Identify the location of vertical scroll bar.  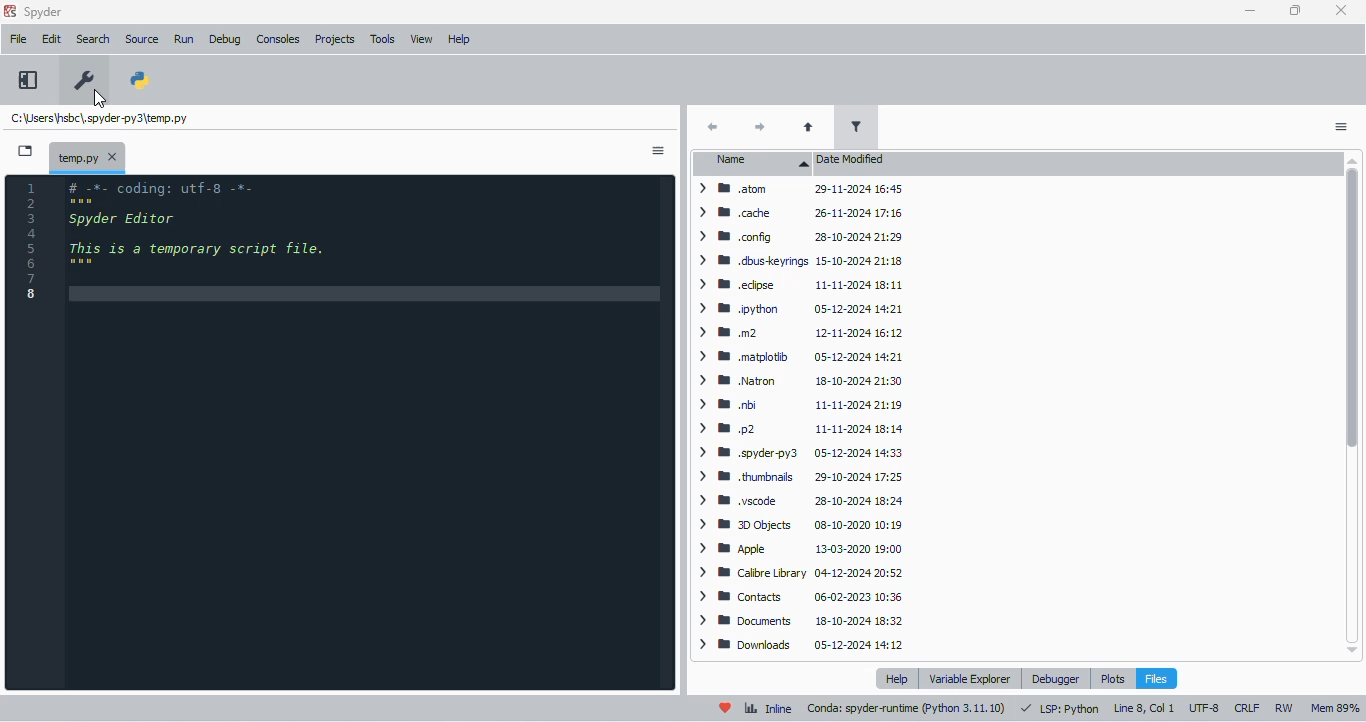
(1349, 405).